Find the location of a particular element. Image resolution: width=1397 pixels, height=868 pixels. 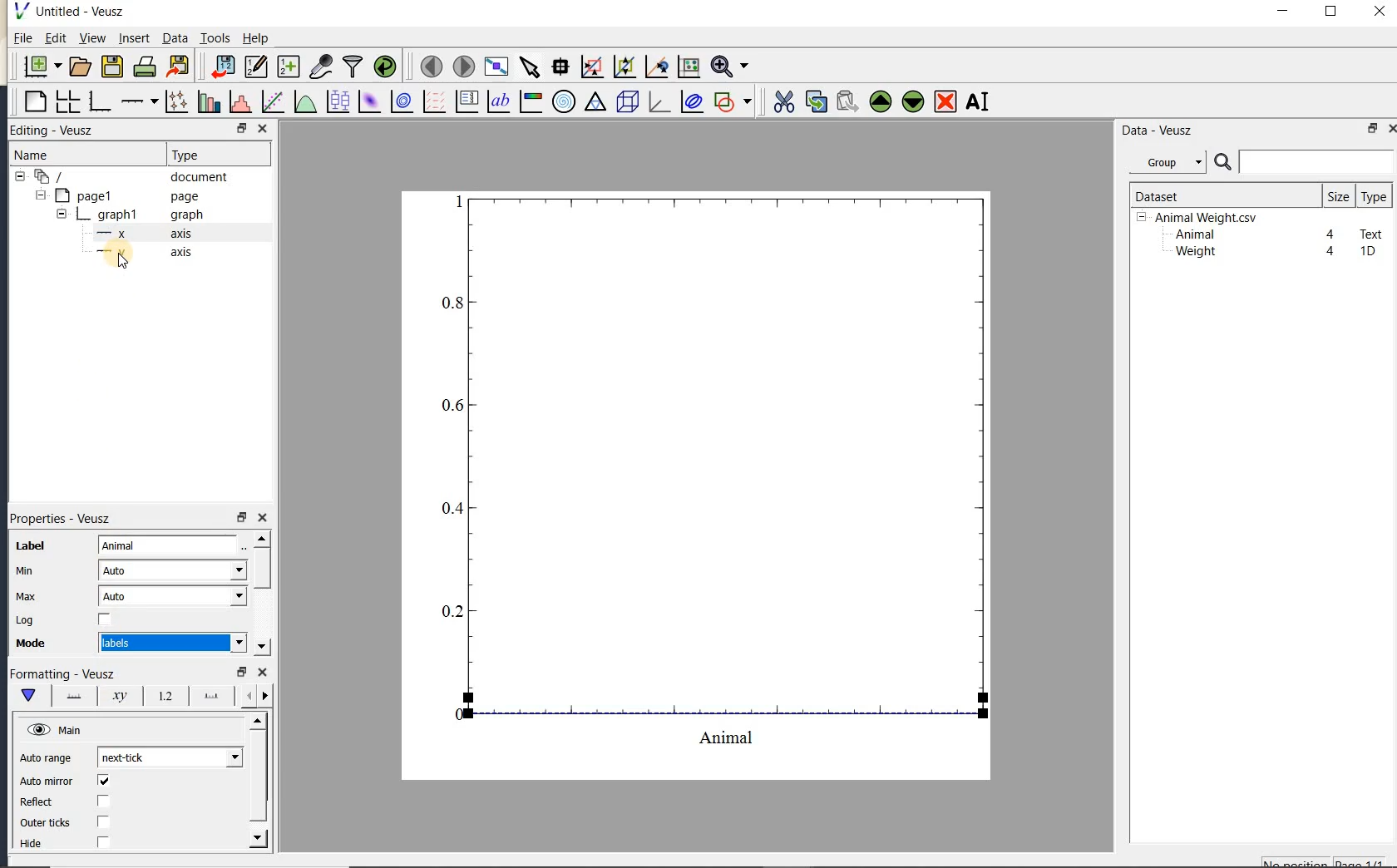

Log is located at coordinates (25, 620).